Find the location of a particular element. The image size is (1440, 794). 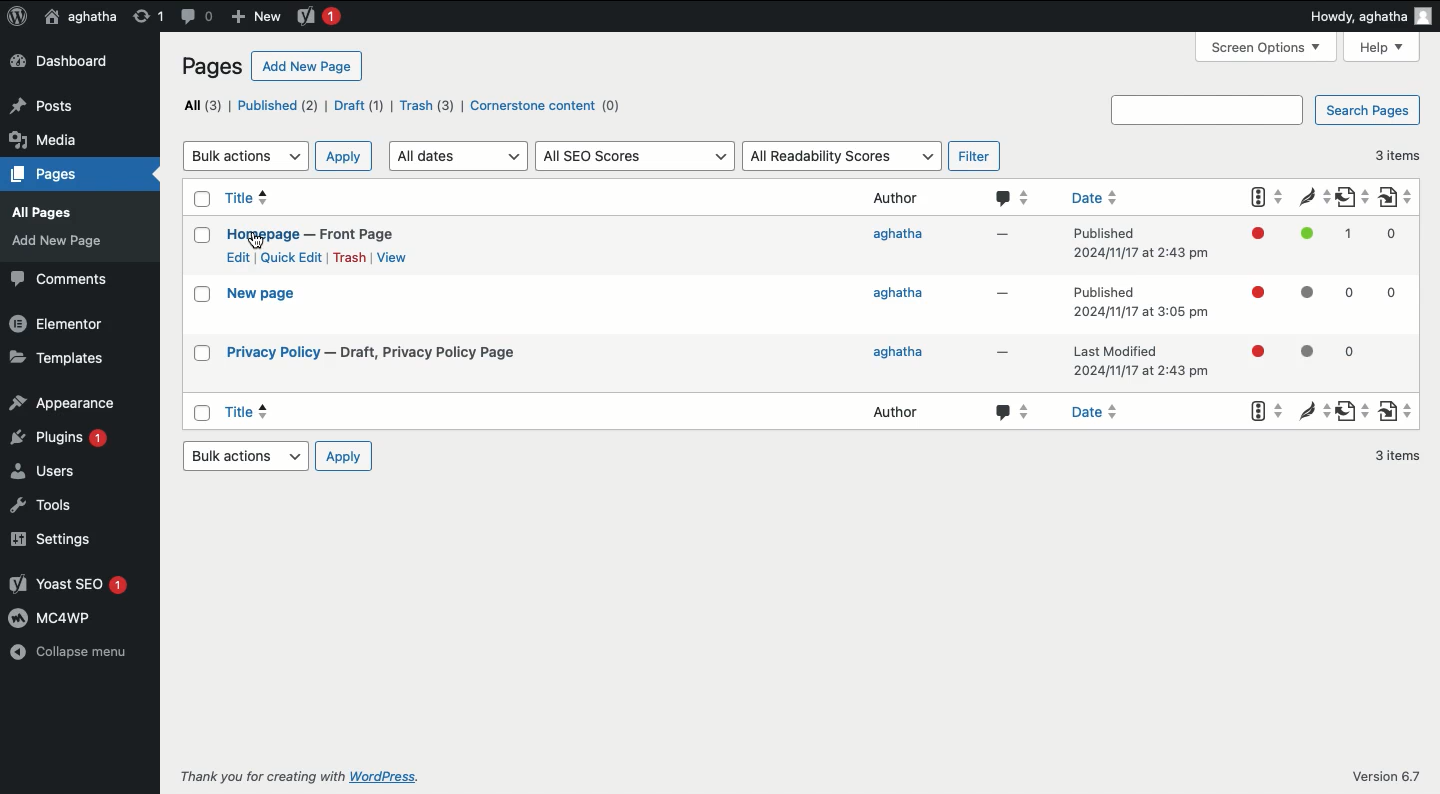

Elementor is located at coordinates (58, 326).